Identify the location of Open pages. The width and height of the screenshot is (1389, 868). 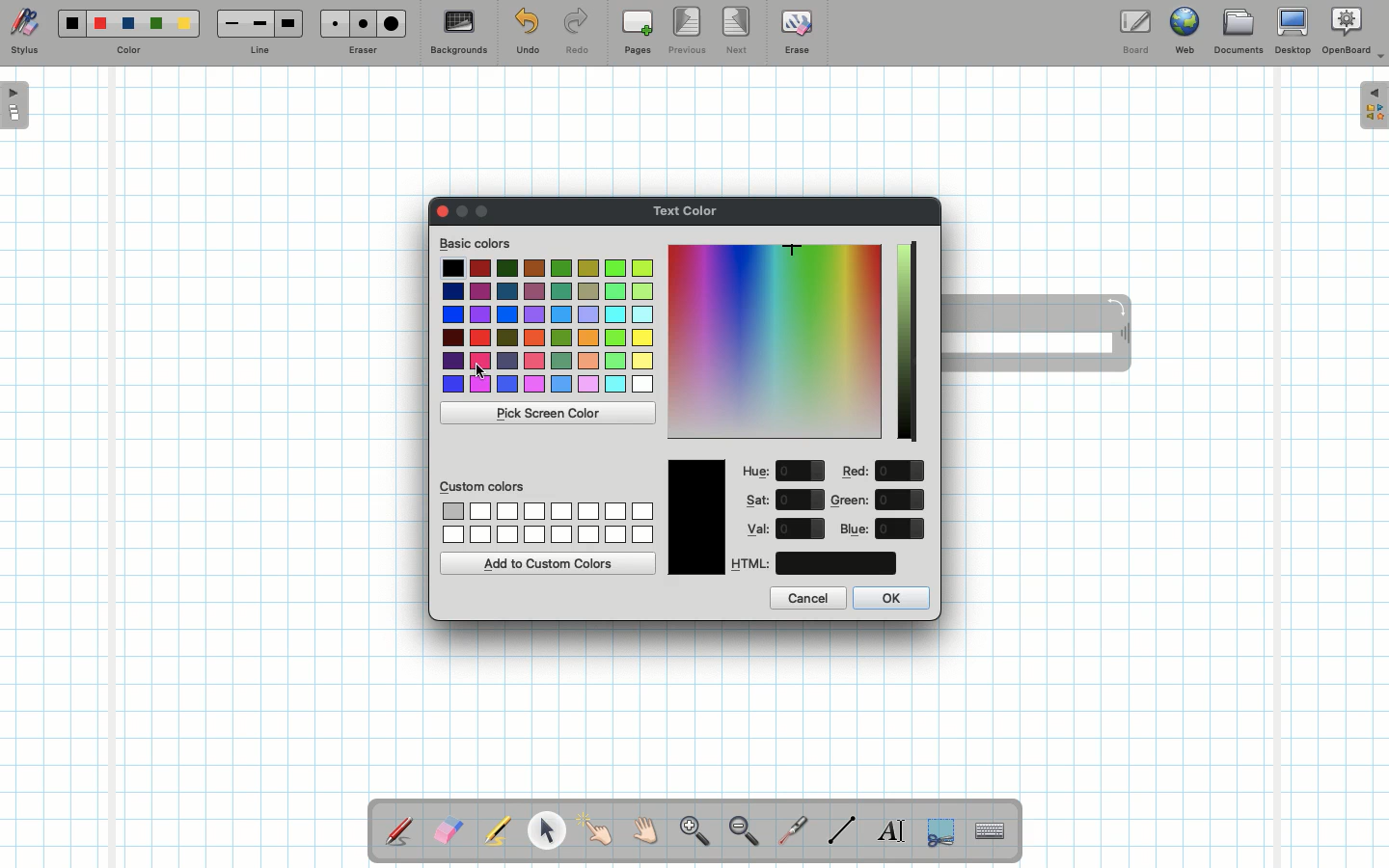
(16, 104).